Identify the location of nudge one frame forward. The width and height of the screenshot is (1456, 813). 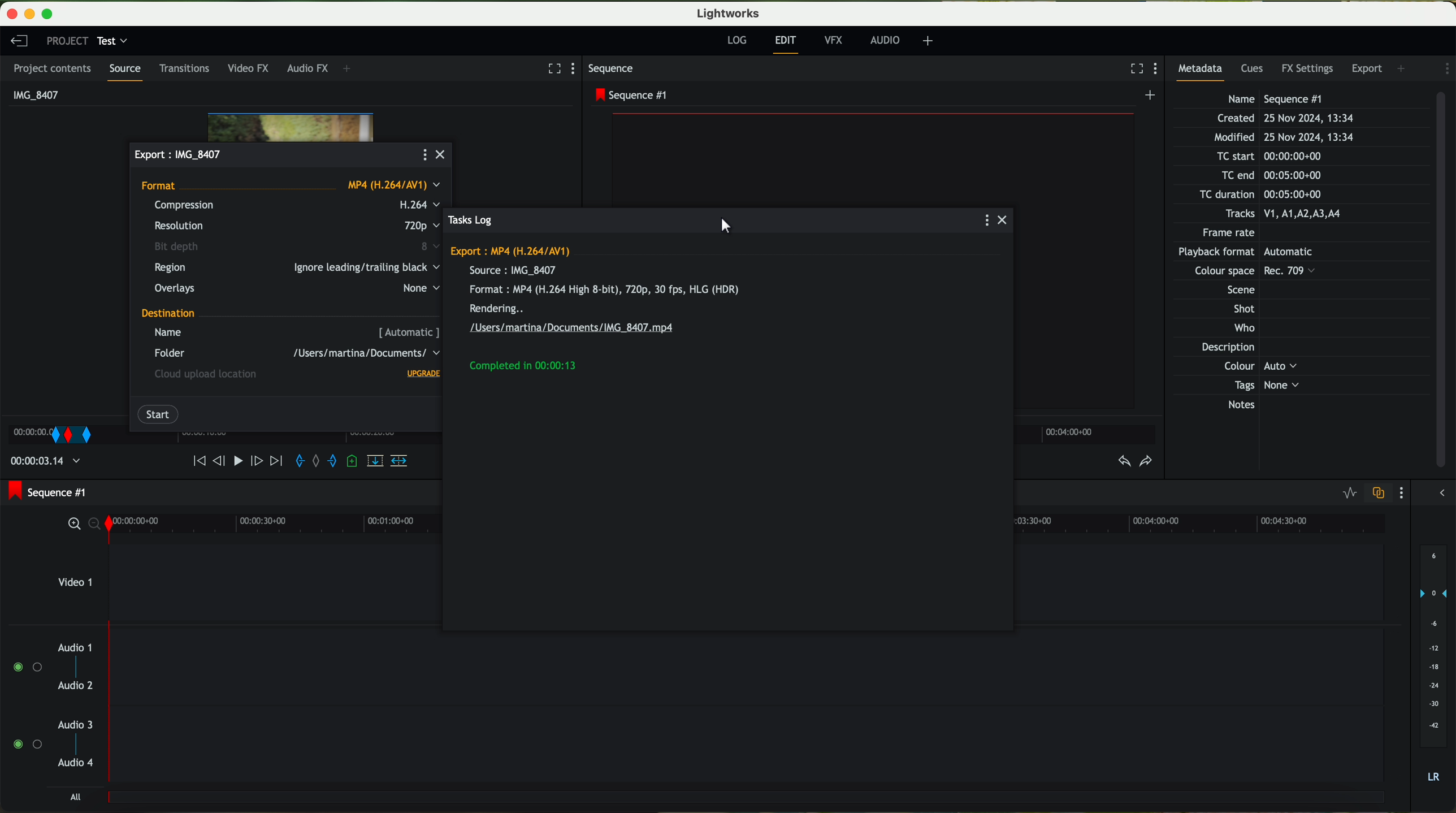
(259, 462).